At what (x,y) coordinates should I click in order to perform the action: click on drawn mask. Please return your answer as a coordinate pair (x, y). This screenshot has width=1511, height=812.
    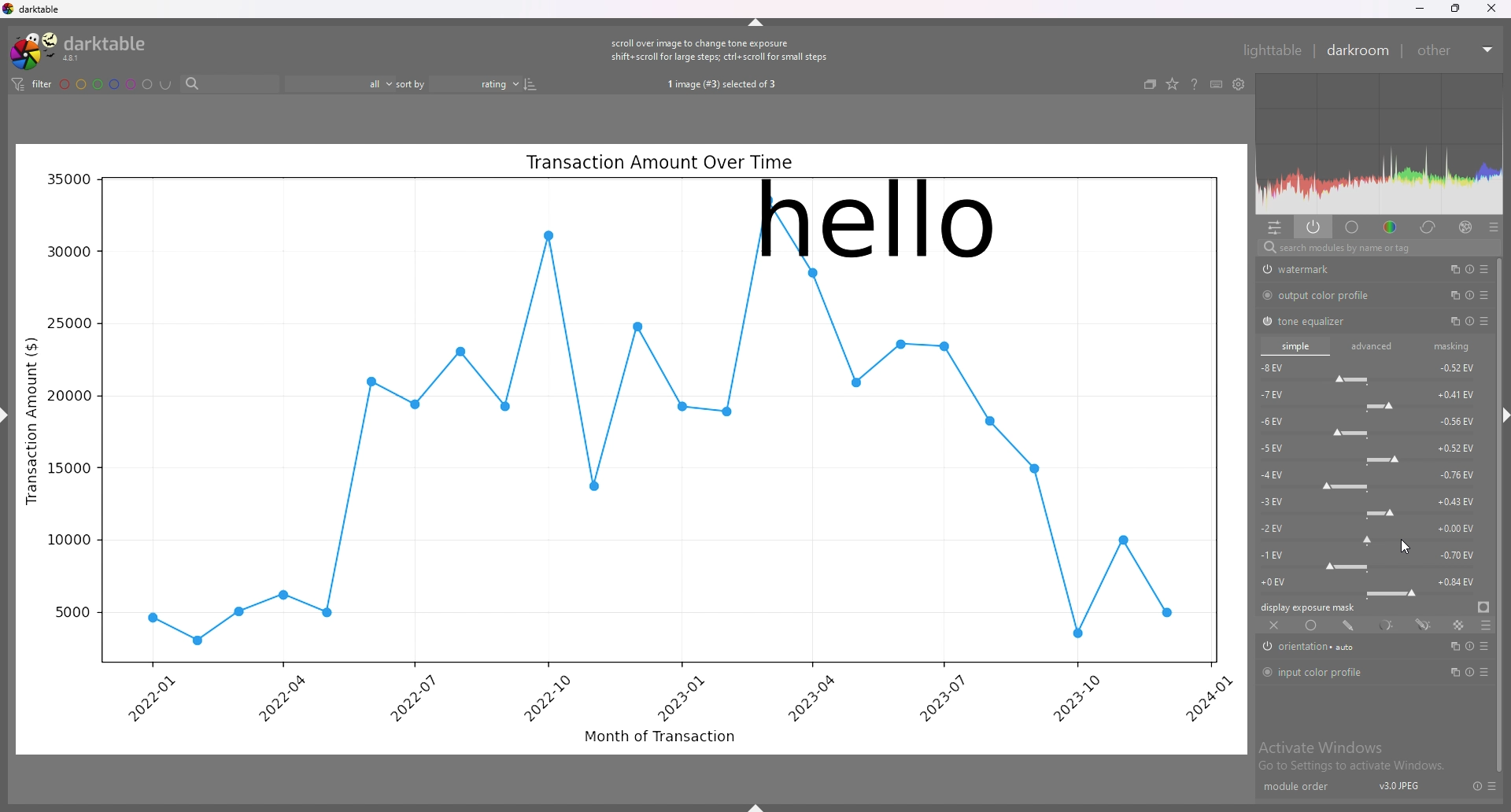
    Looking at the image, I should click on (1350, 626).